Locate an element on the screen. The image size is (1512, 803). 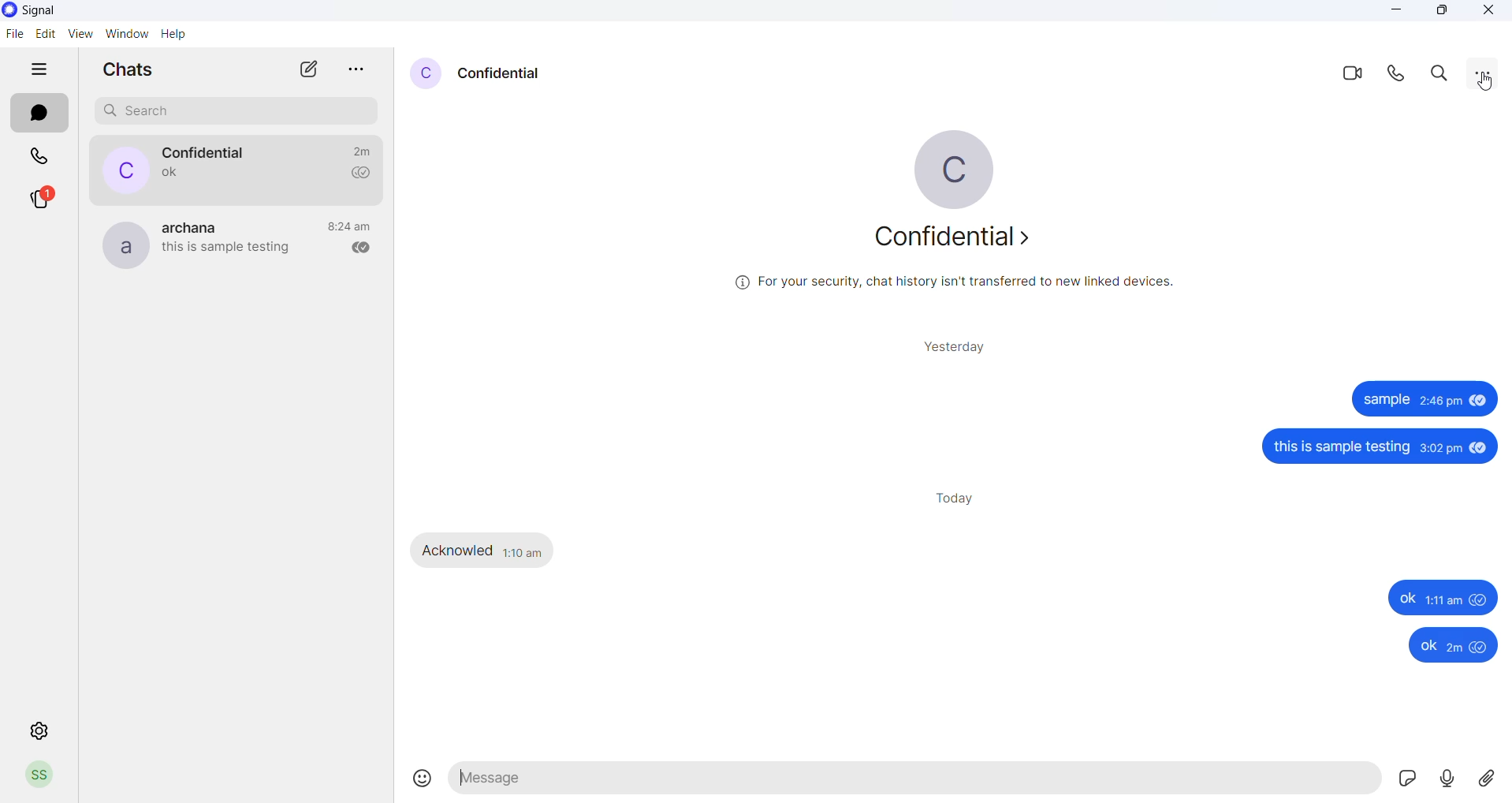
contact name is located at coordinates (503, 72).